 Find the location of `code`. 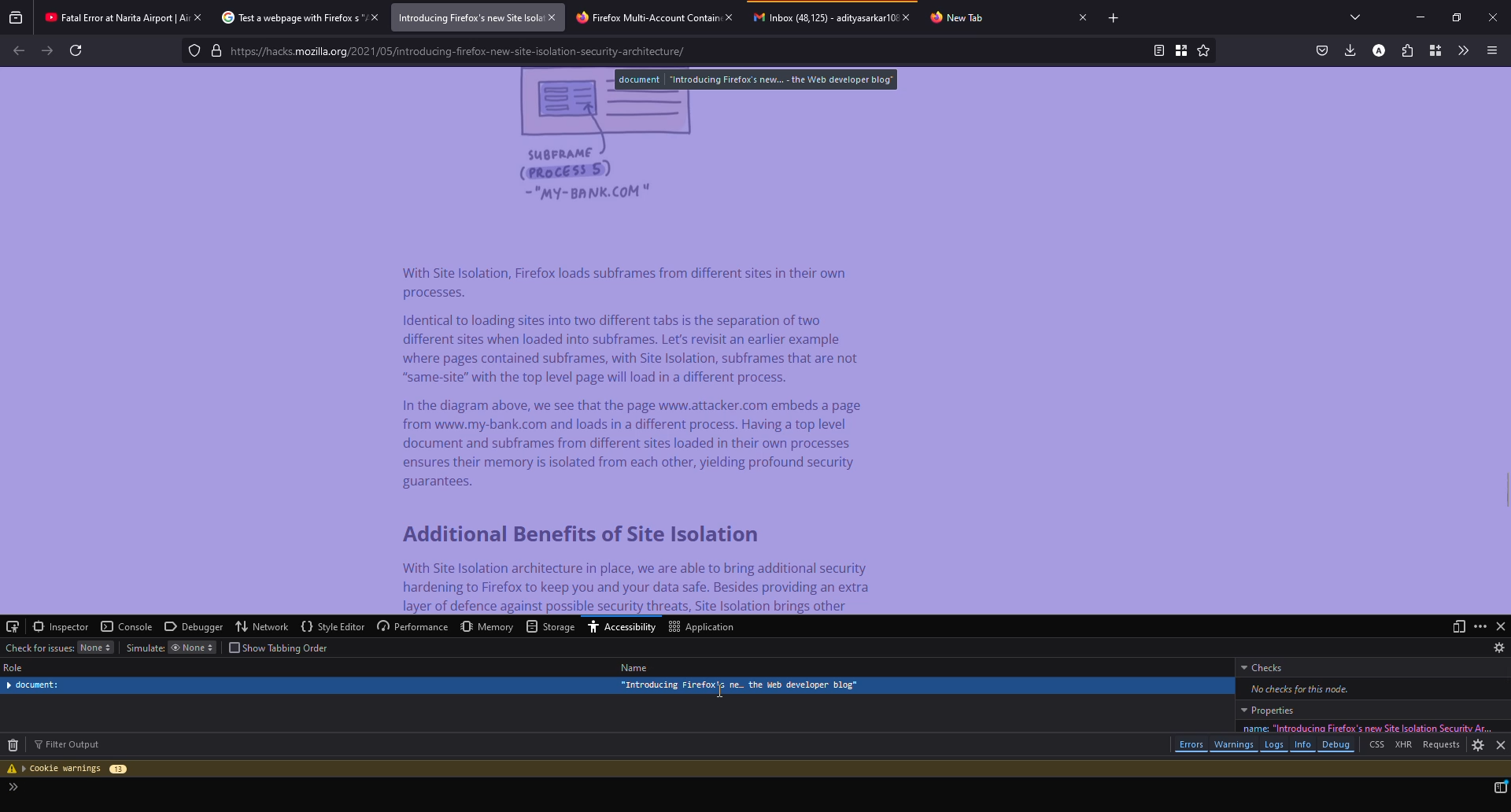

code is located at coordinates (30, 789).